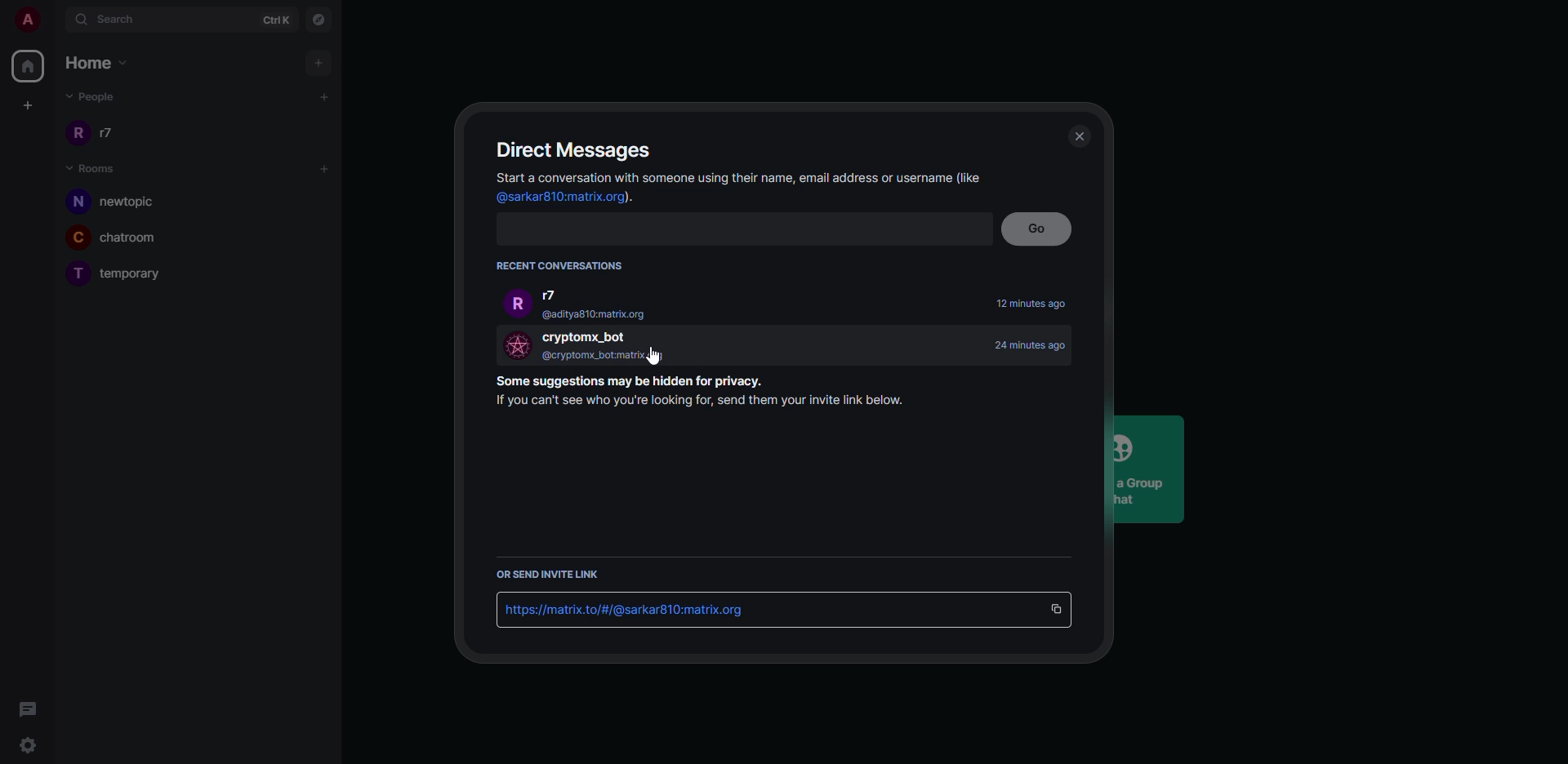 This screenshot has width=1568, height=764. I want to click on chatroom, so click(139, 238).